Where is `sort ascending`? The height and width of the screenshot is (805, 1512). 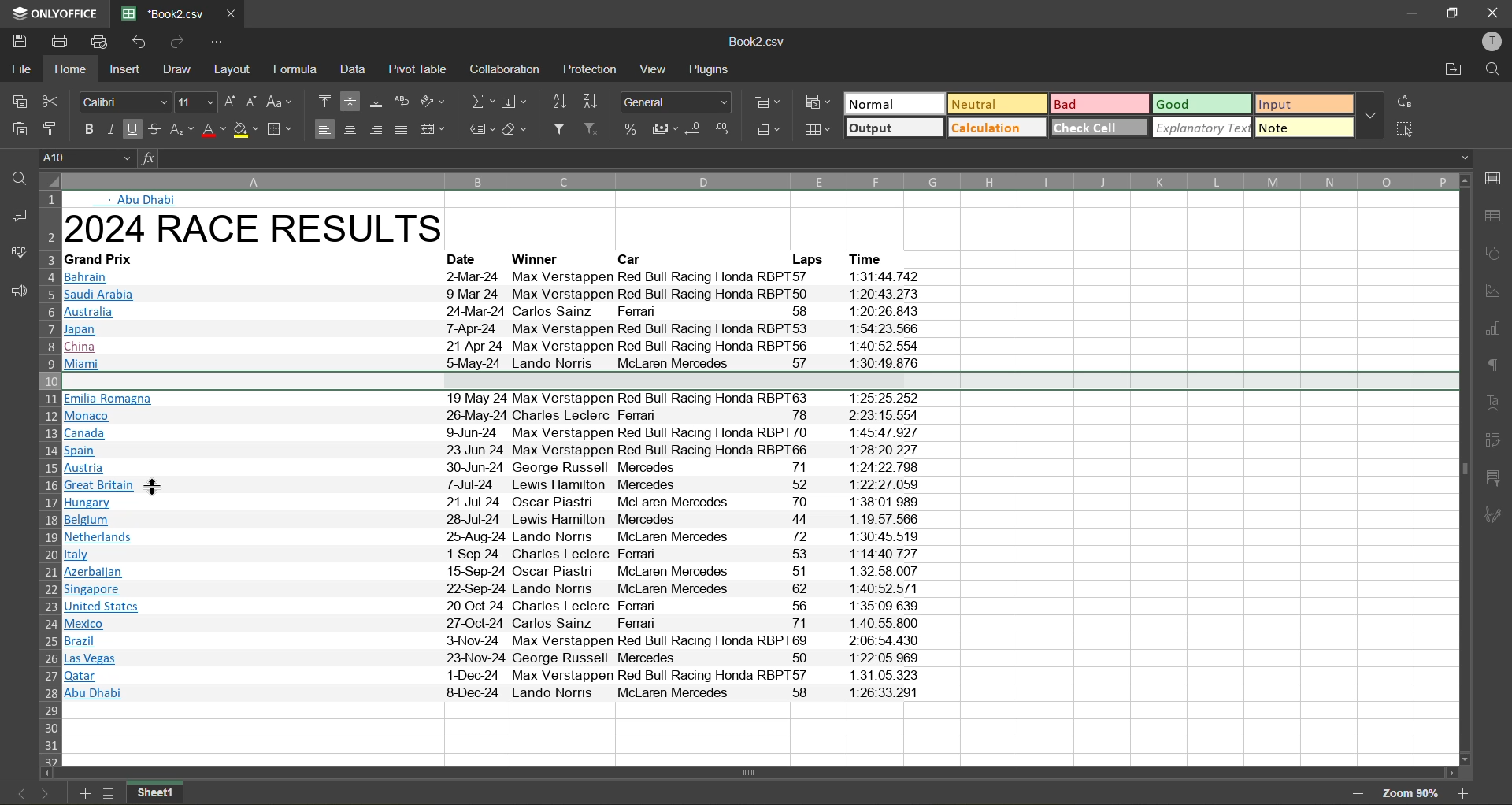
sort ascending is located at coordinates (557, 101).